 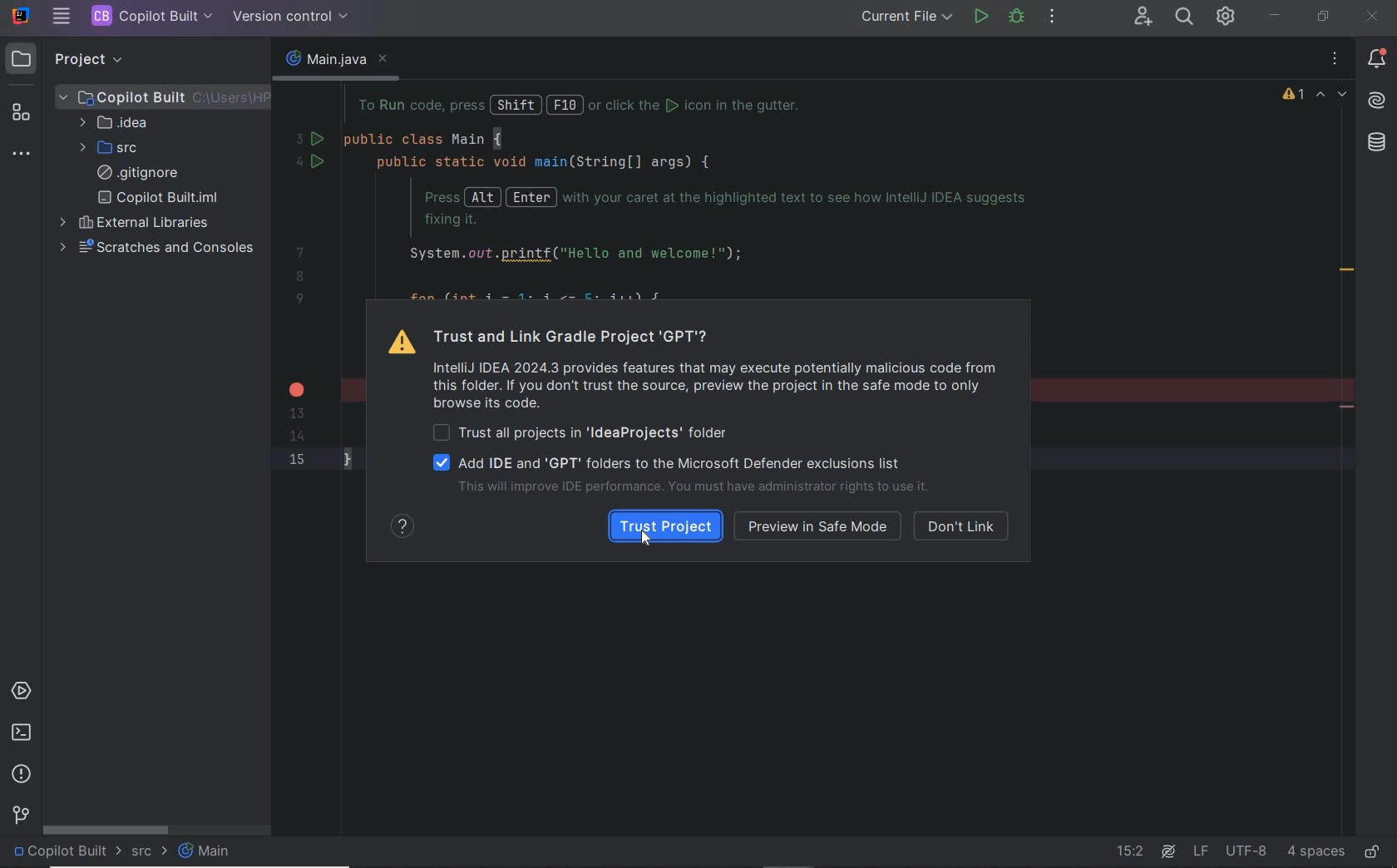 What do you see at coordinates (1349, 407) in the screenshot?
I see `remove line` at bounding box center [1349, 407].